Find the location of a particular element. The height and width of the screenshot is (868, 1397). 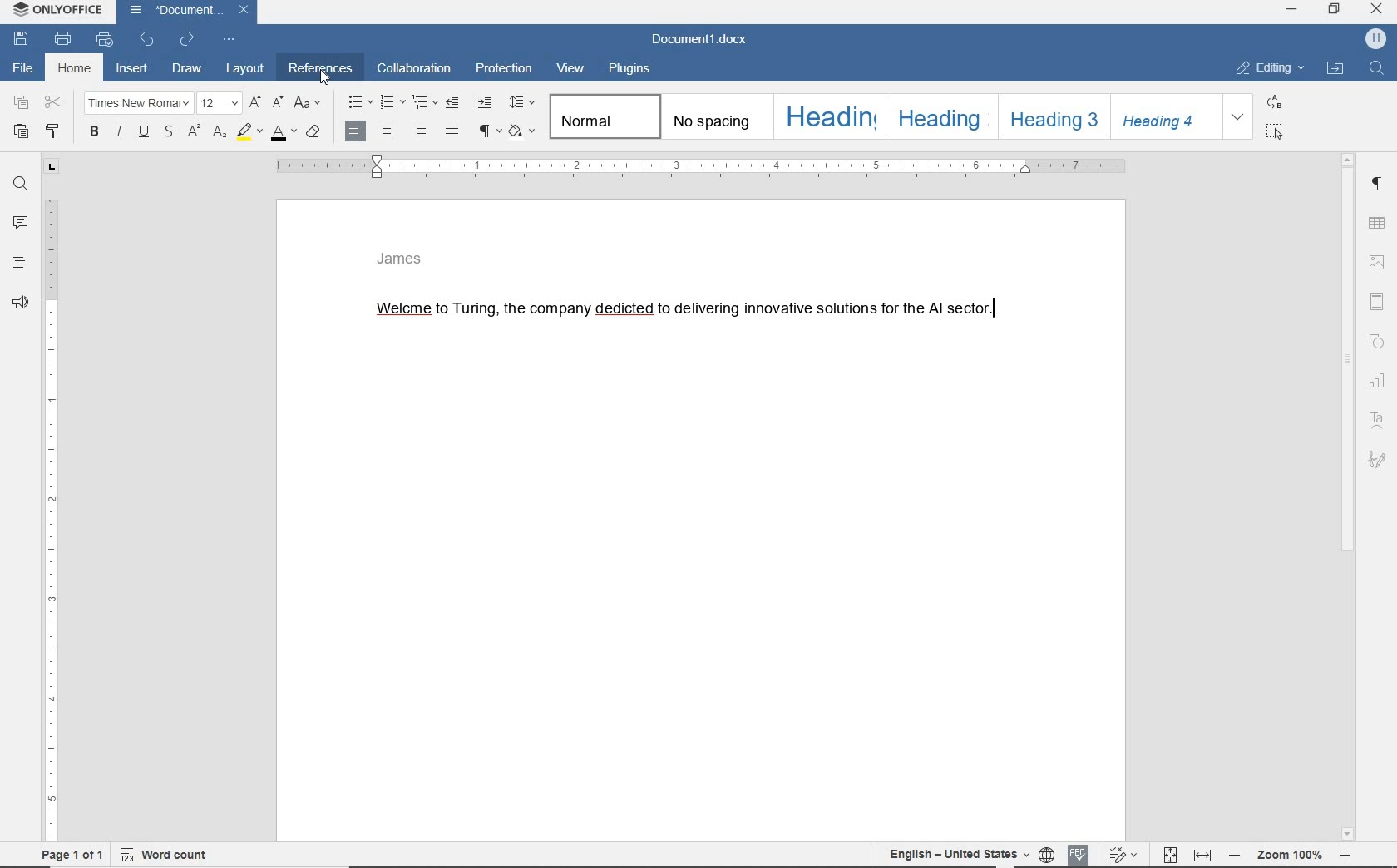

copy is located at coordinates (18, 102).